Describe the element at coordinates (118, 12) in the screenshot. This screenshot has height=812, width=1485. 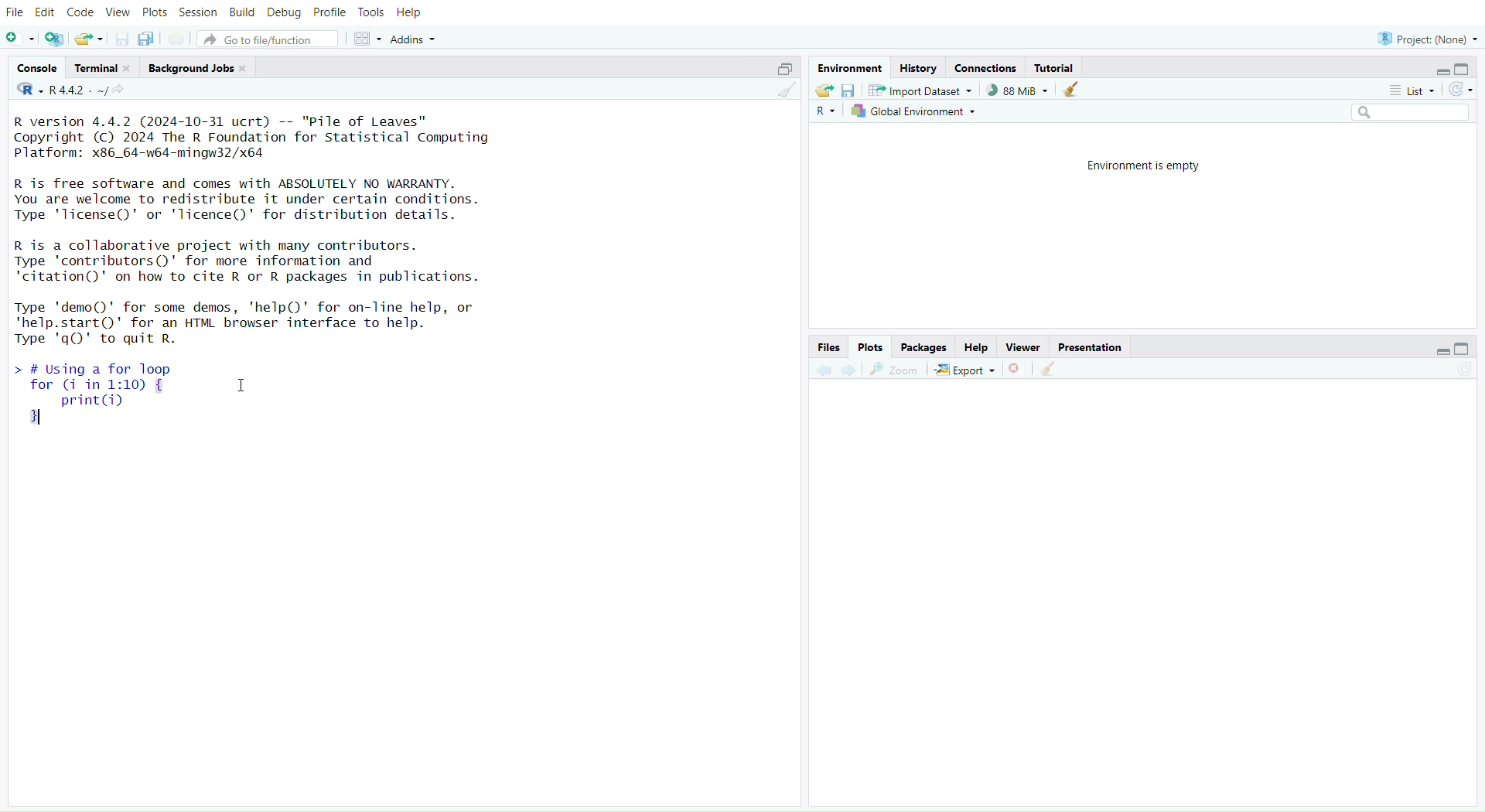
I see `view` at that location.